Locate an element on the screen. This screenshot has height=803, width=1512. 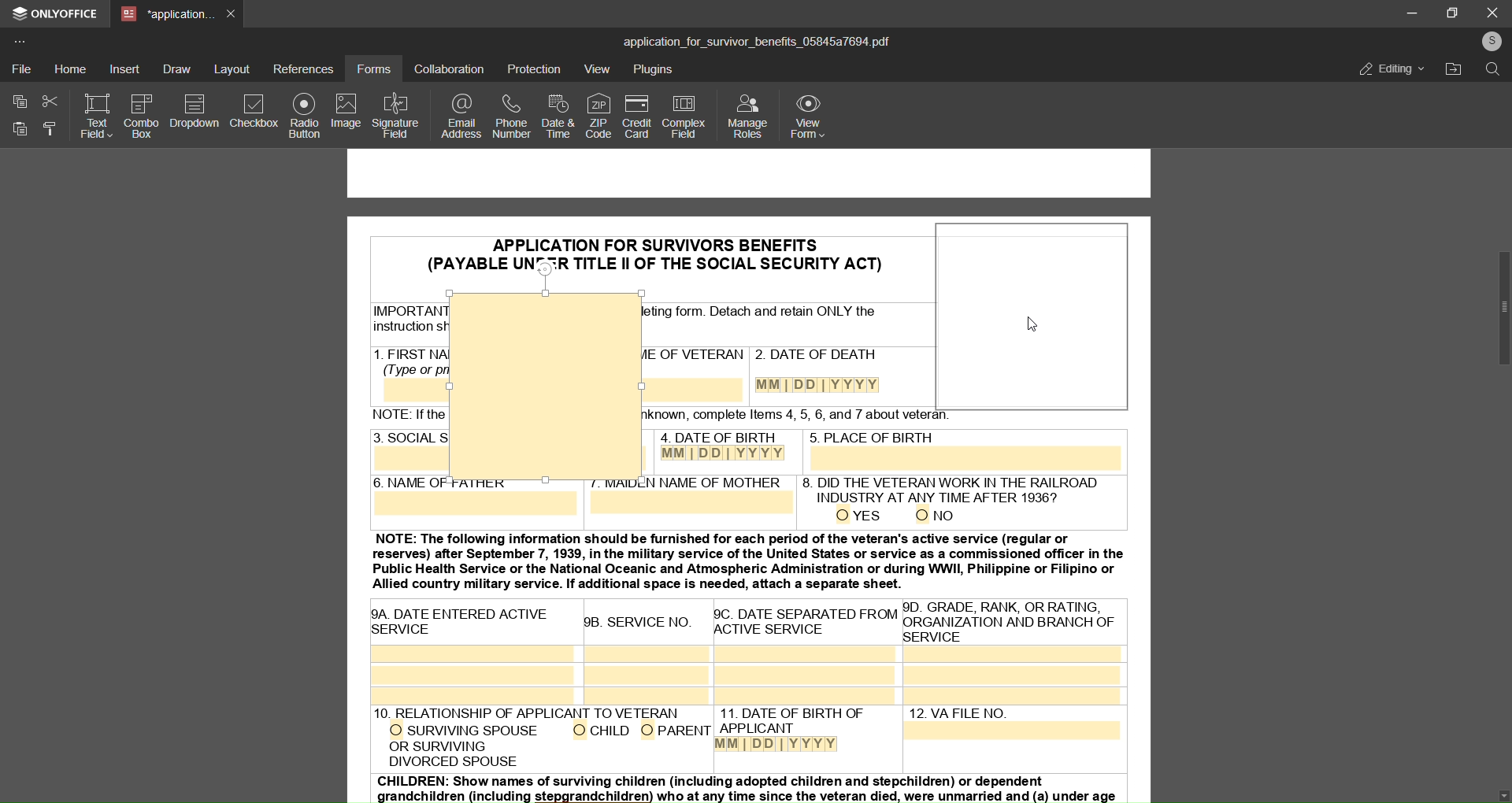
close tab is located at coordinates (232, 13).